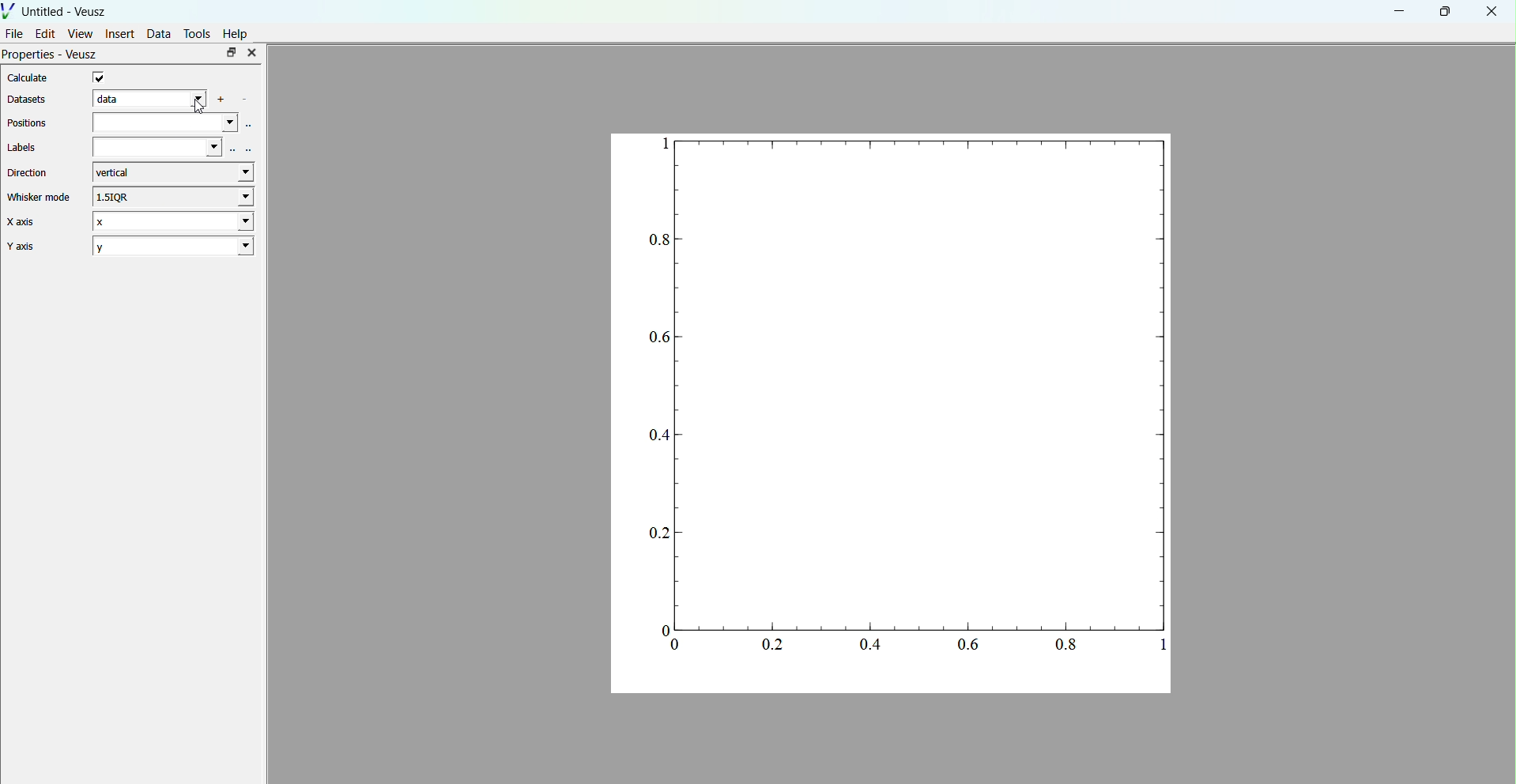 This screenshot has width=1516, height=784. Describe the element at coordinates (46, 33) in the screenshot. I see `Edit` at that location.